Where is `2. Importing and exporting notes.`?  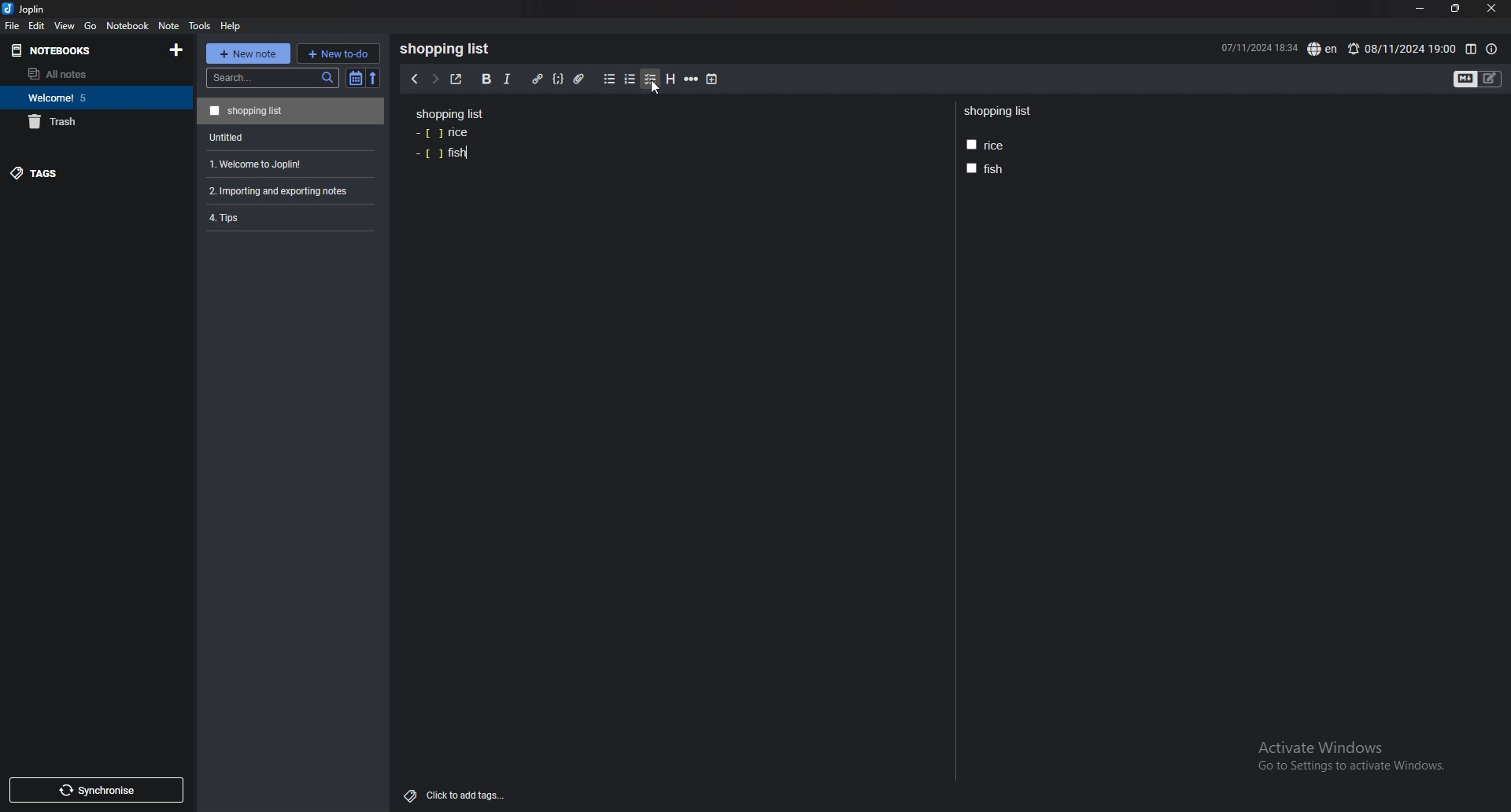
2. Importing and exporting notes. is located at coordinates (289, 189).